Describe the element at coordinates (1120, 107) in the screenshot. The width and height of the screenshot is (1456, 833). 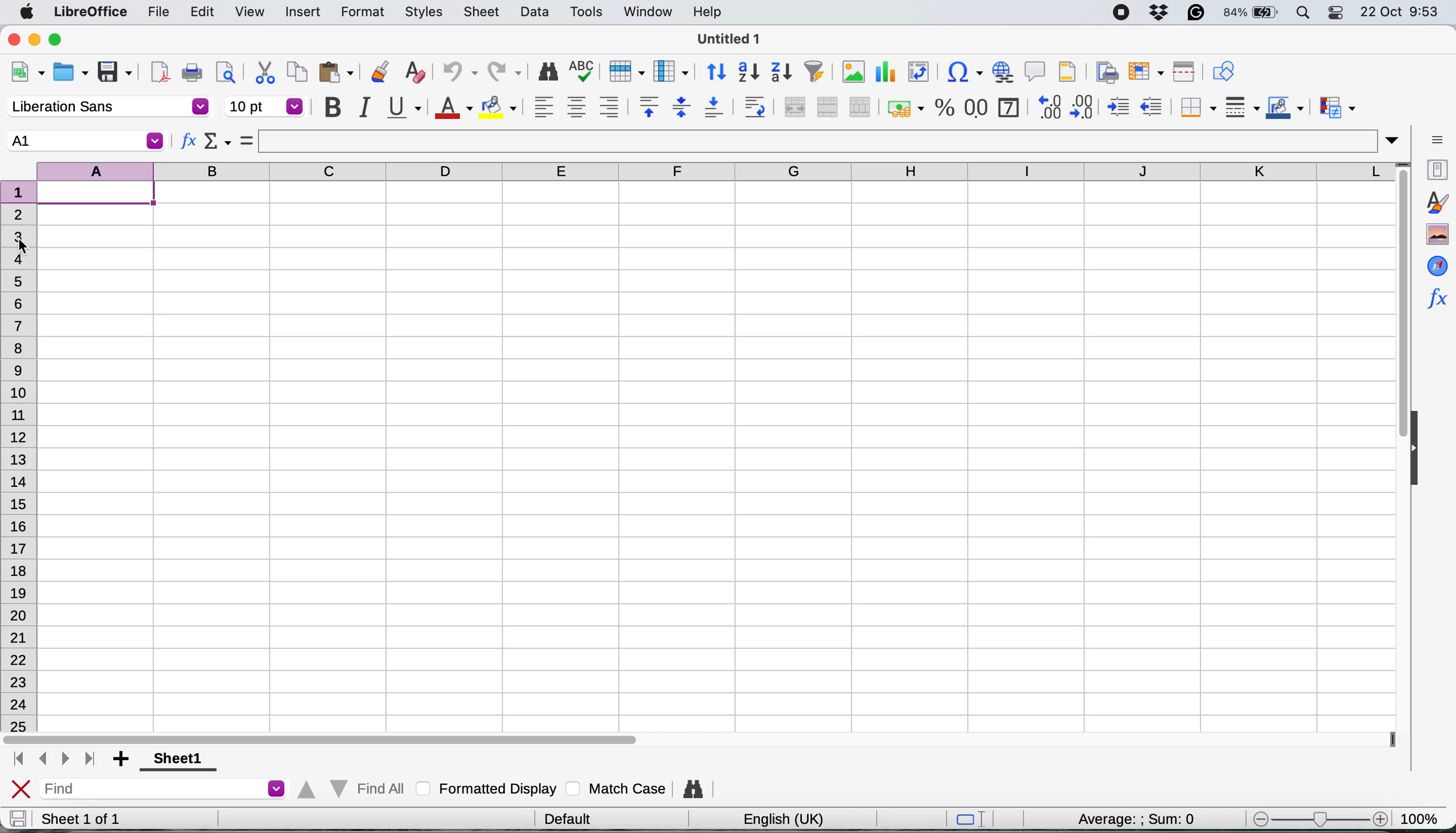
I see `increase indent` at that location.